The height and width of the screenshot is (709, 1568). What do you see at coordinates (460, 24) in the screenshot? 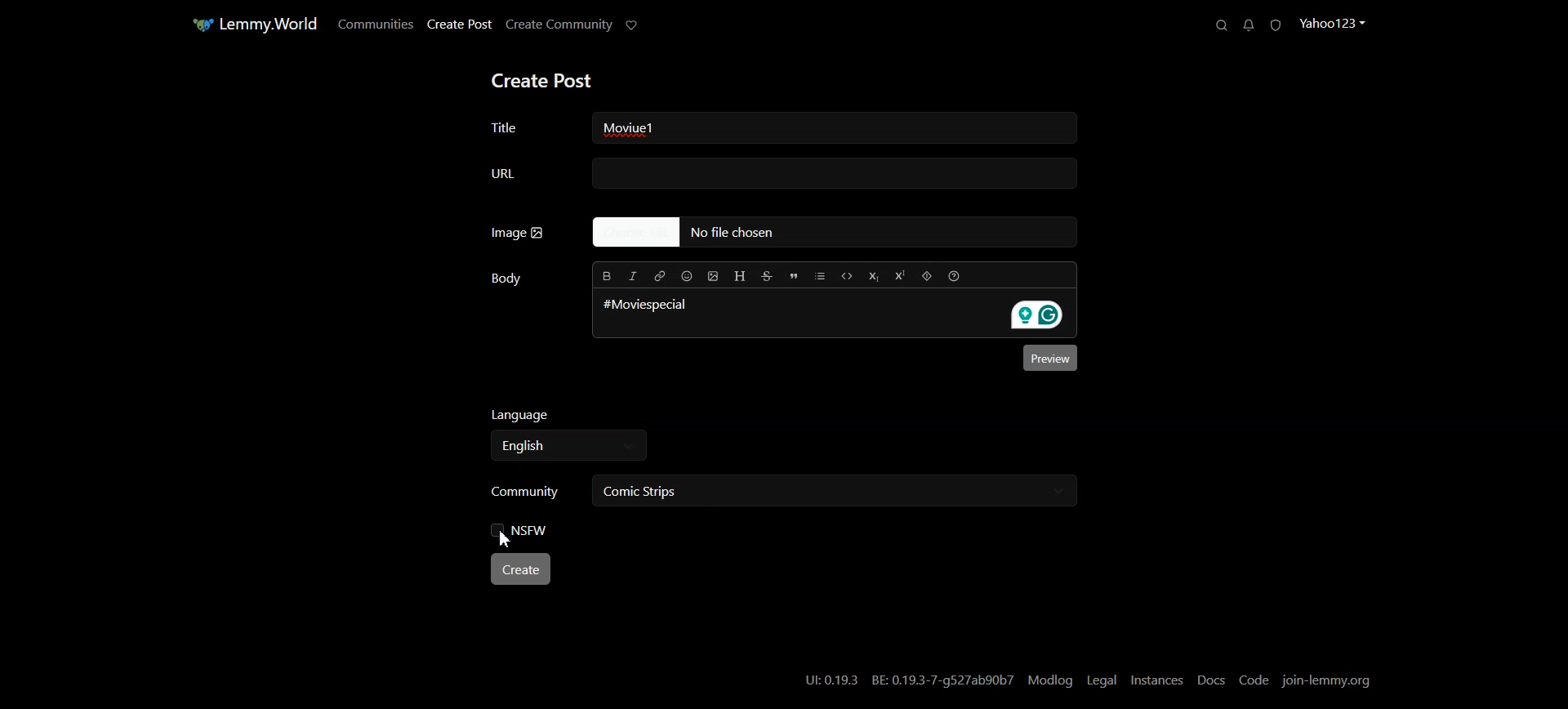
I see `Create Post` at bounding box center [460, 24].